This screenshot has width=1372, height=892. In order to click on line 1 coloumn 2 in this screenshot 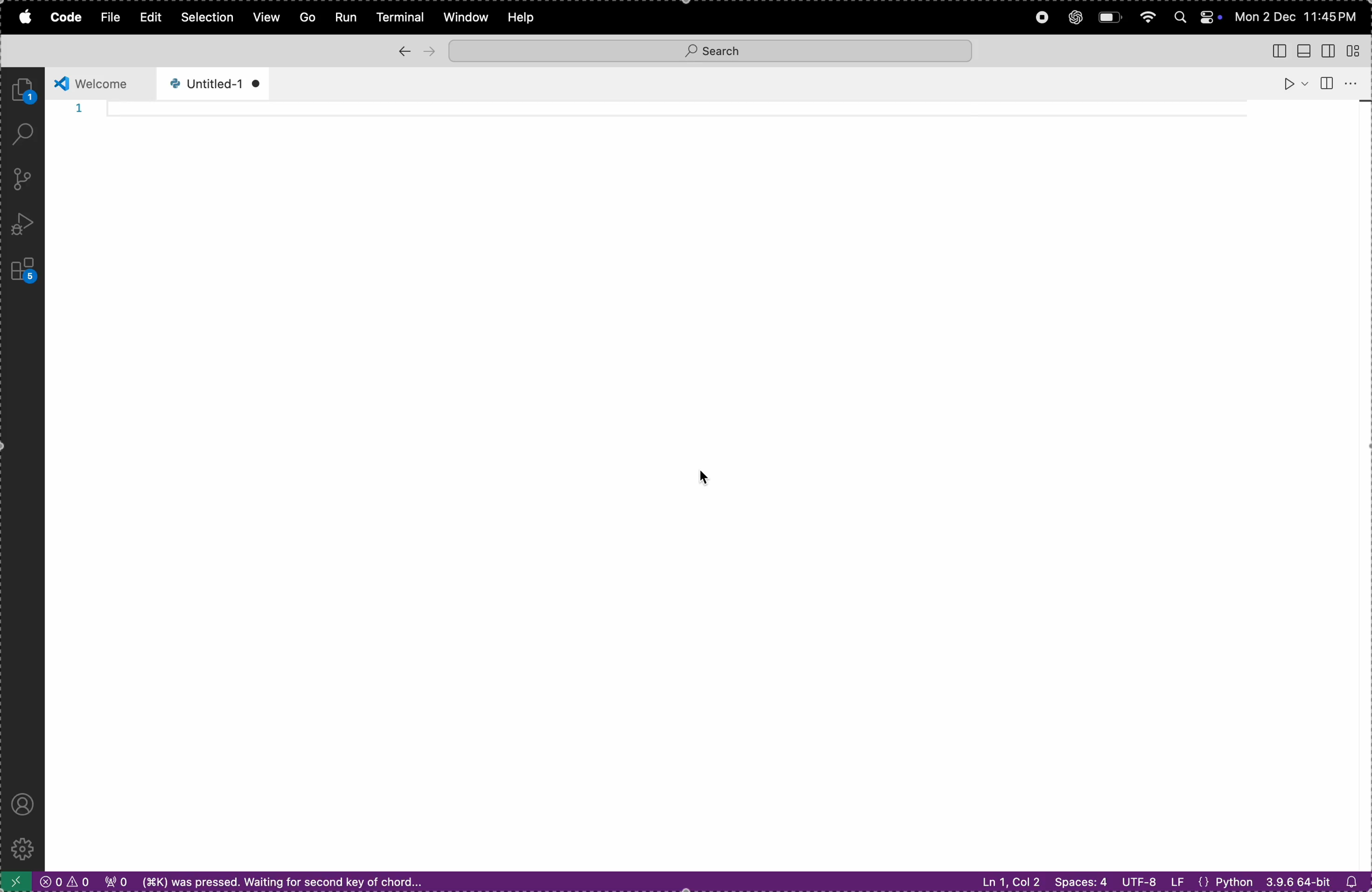, I will do `click(1007, 882)`.